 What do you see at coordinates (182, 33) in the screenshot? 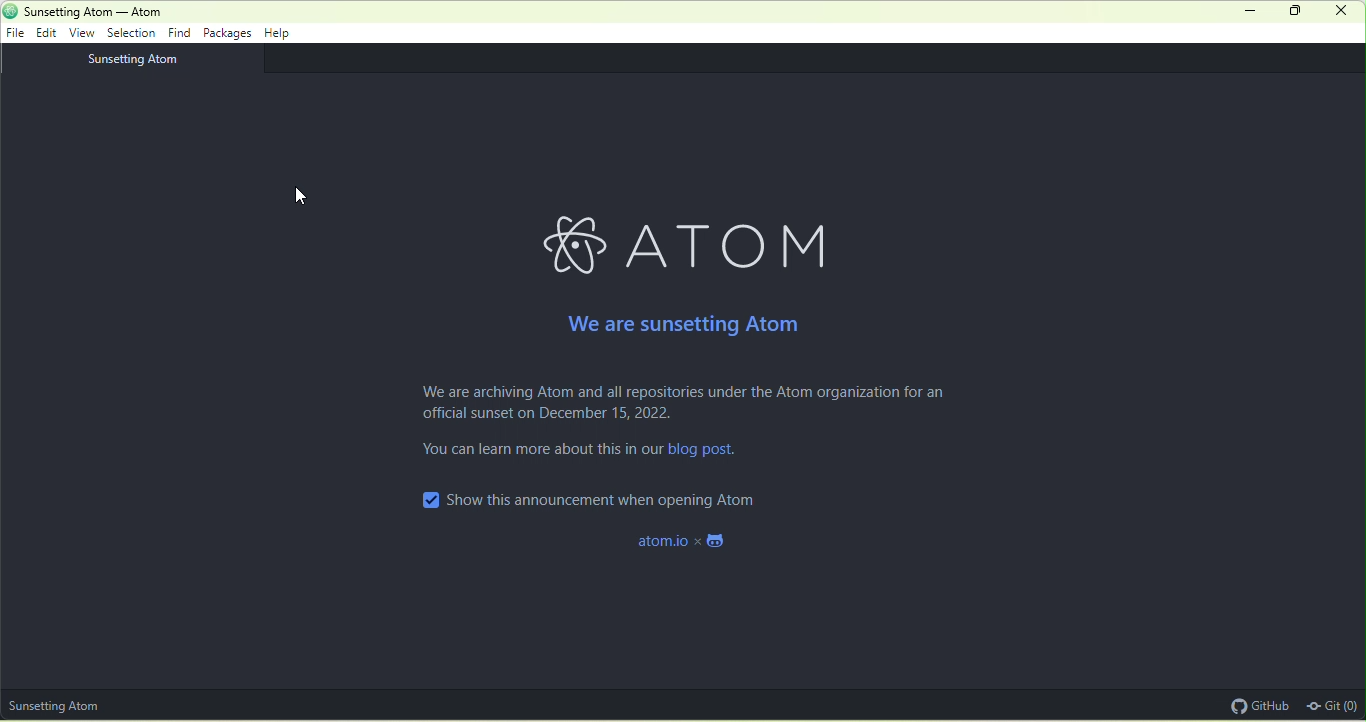
I see `find` at bounding box center [182, 33].